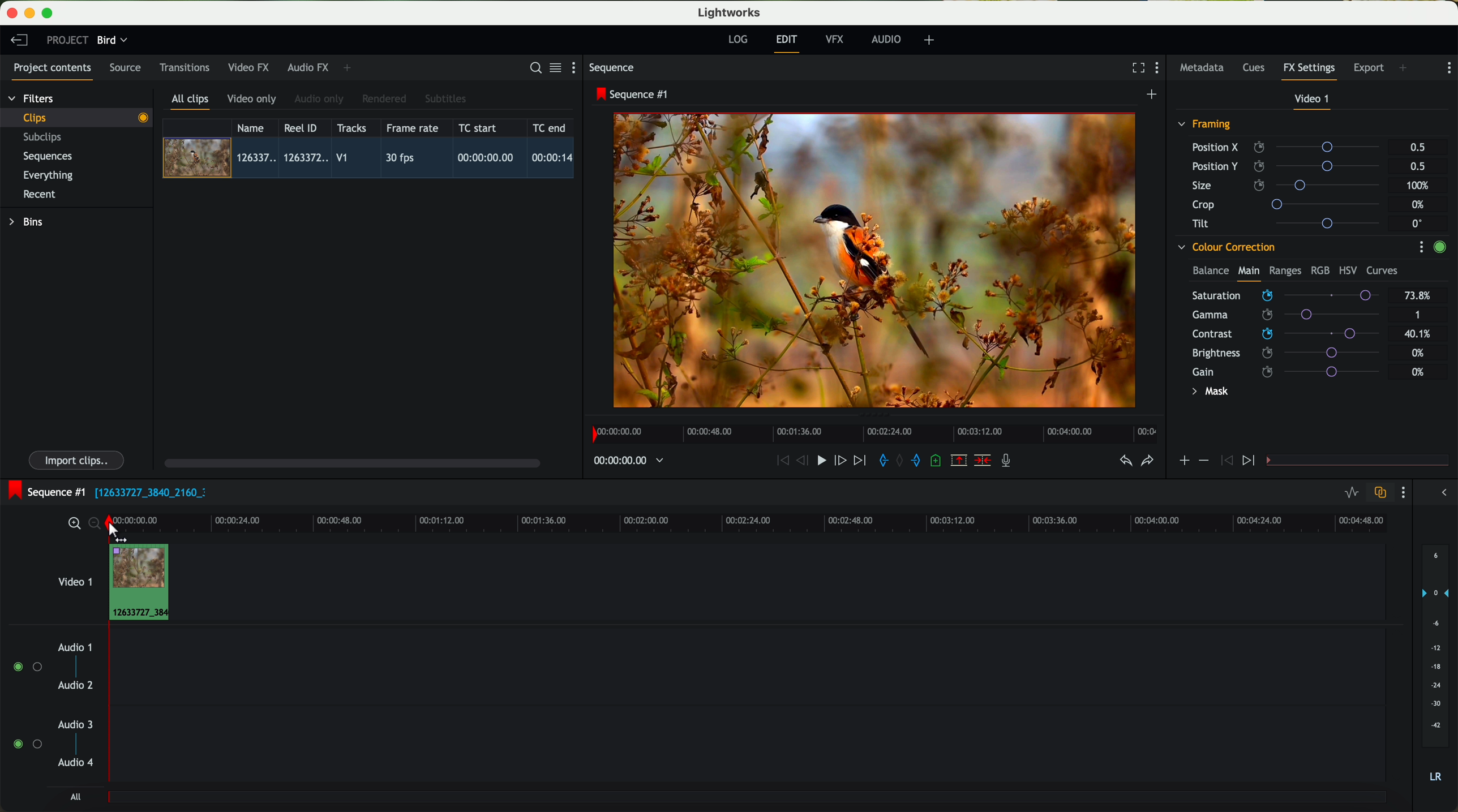 The image size is (1458, 812). I want to click on position Y, so click(1290, 166).